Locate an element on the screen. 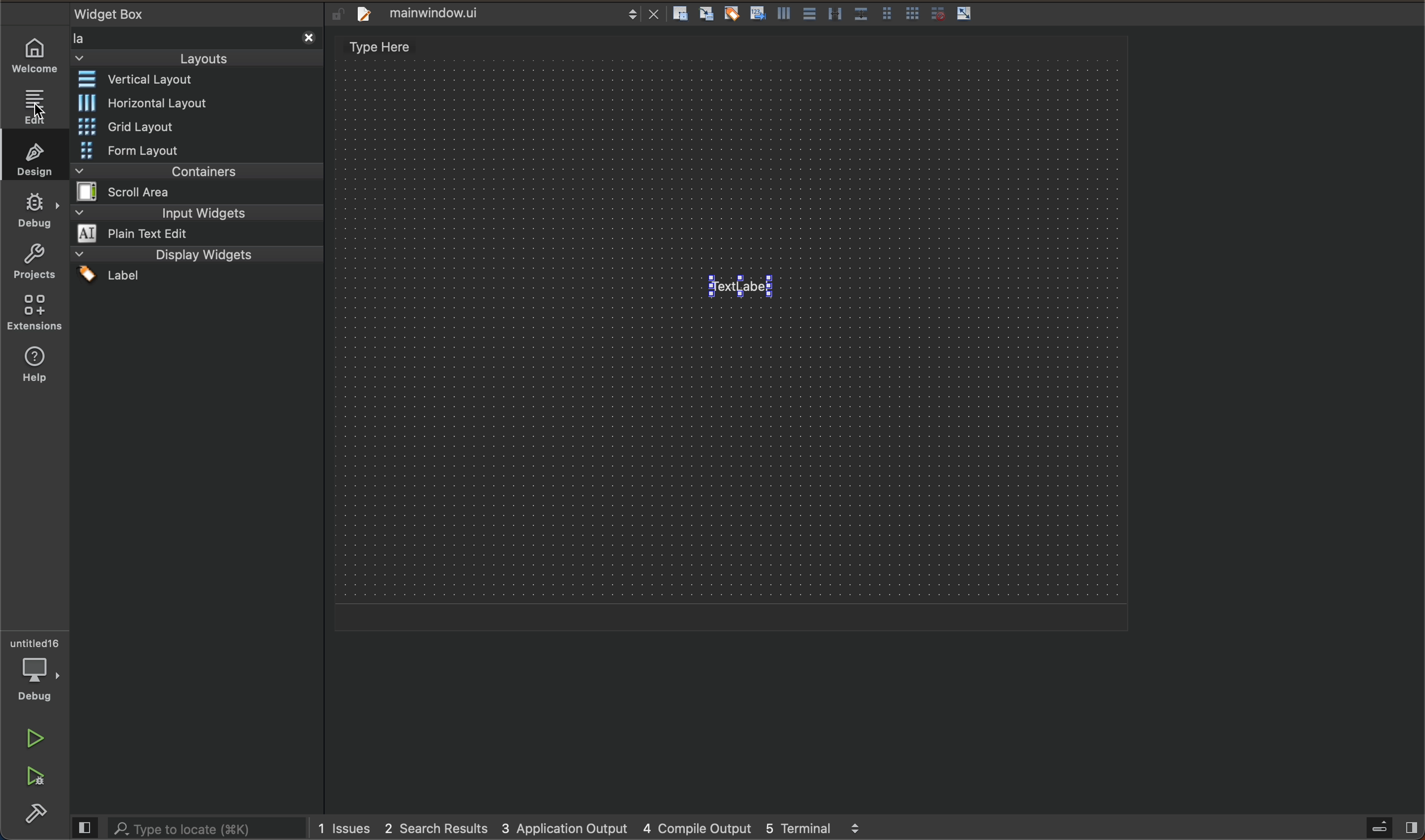  break layout is located at coordinates (941, 16).